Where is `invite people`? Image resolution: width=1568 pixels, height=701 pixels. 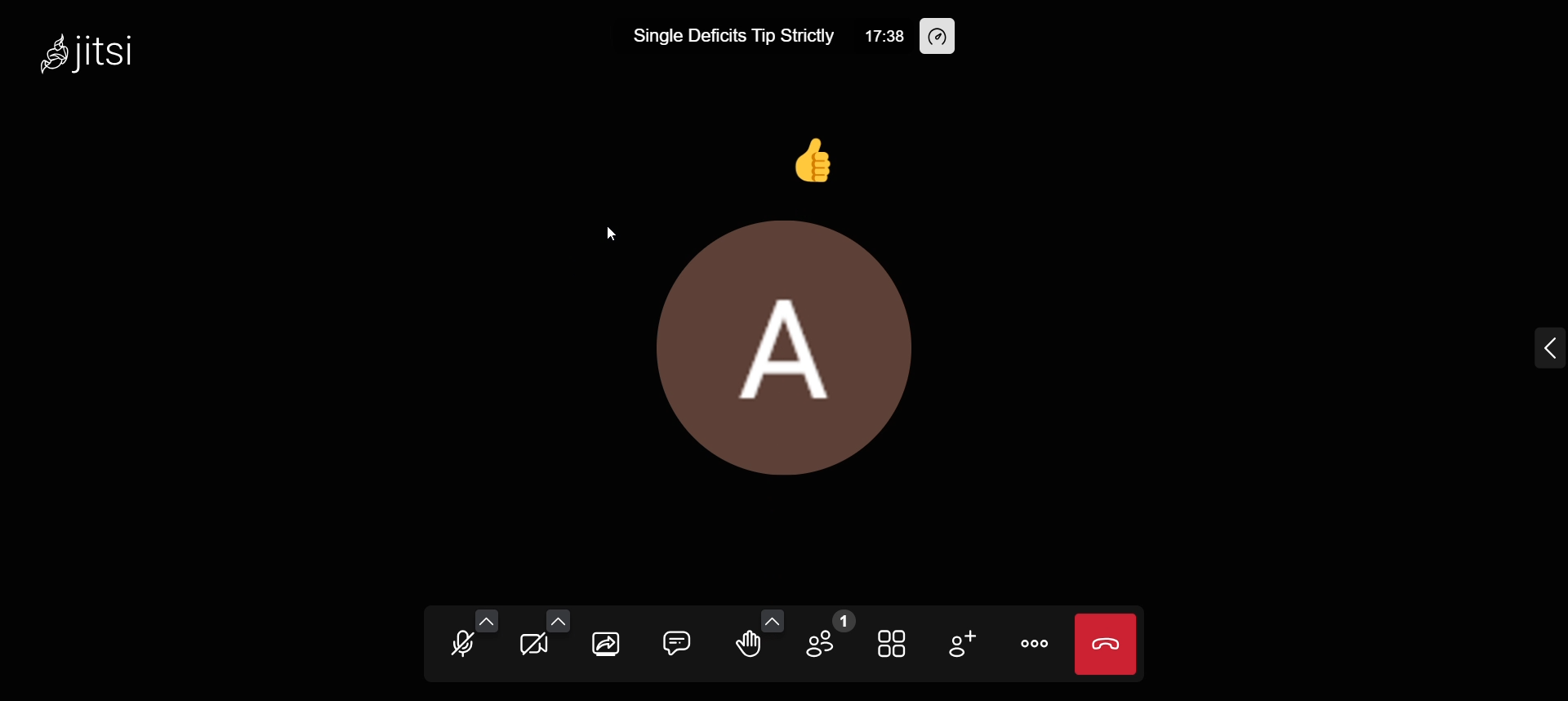
invite people is located at coordinates (964, 649).